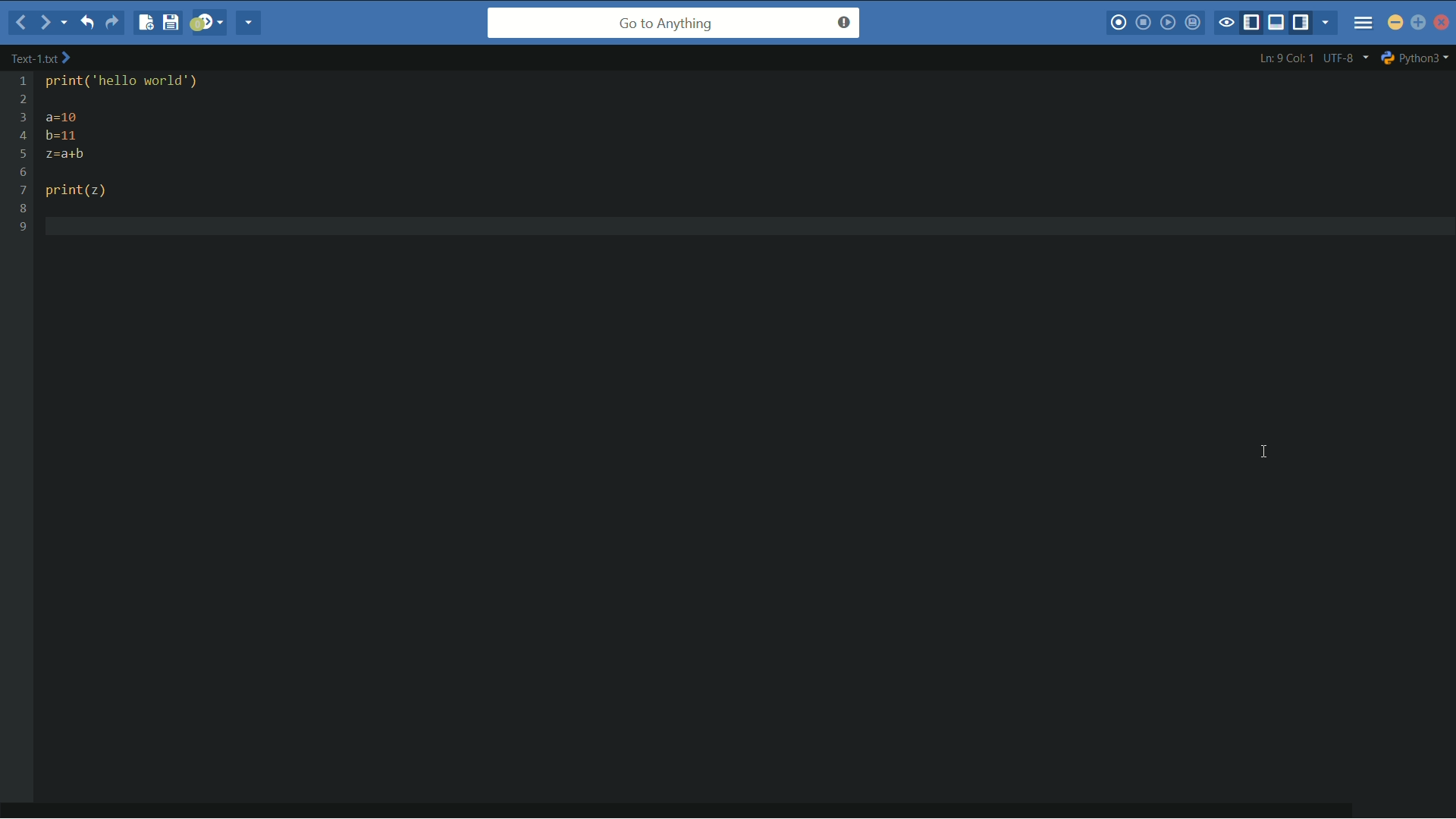 This screenshot has width=1456, height=819. What do you see at coordinates (41, 58) in the screenshot?
I see `text-2.txt` at bounding box center [41, 58].